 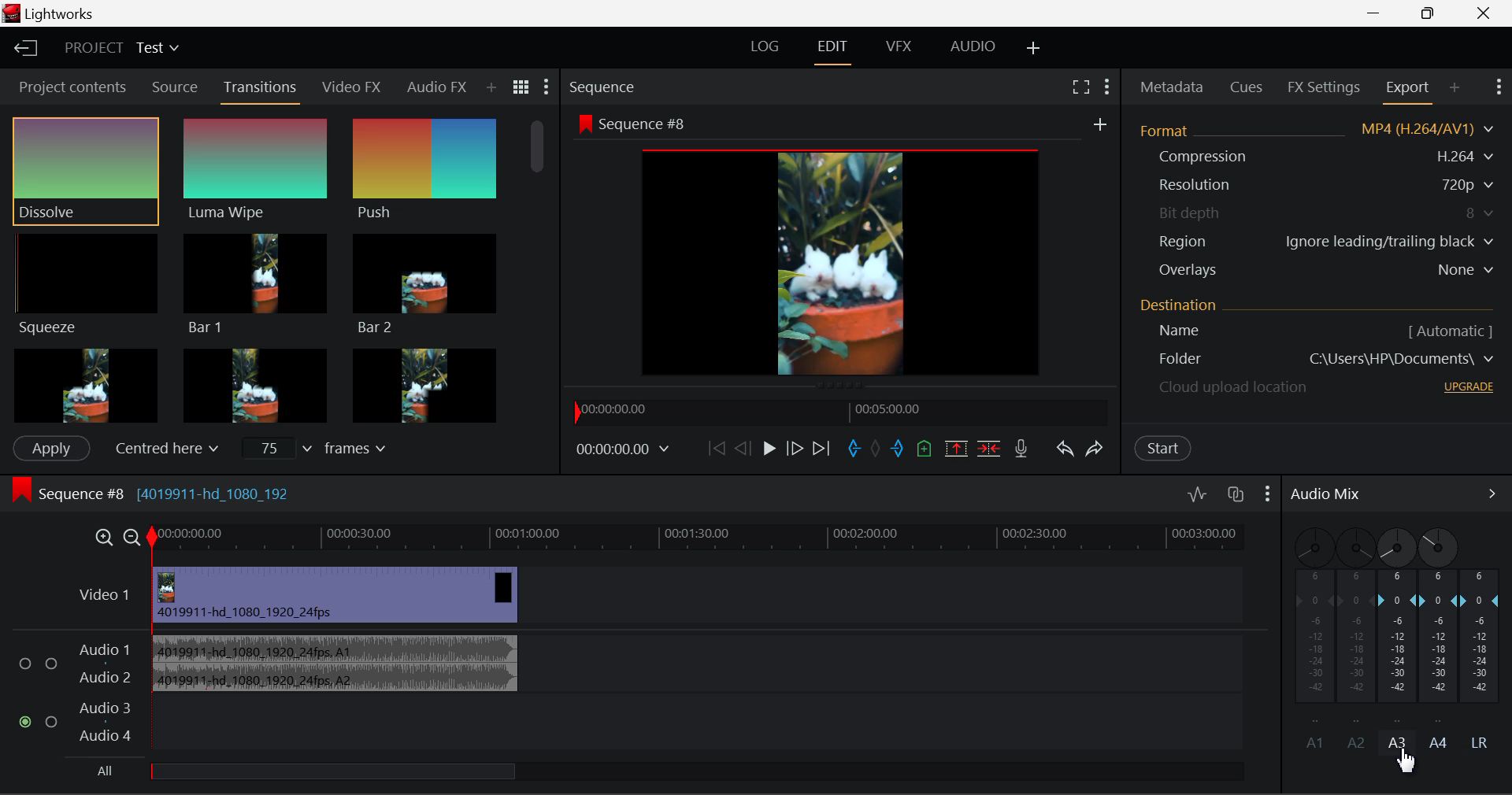 I want to click on Sequence #8 [4019911-hd_1080_192, so click(x=150, y=493).